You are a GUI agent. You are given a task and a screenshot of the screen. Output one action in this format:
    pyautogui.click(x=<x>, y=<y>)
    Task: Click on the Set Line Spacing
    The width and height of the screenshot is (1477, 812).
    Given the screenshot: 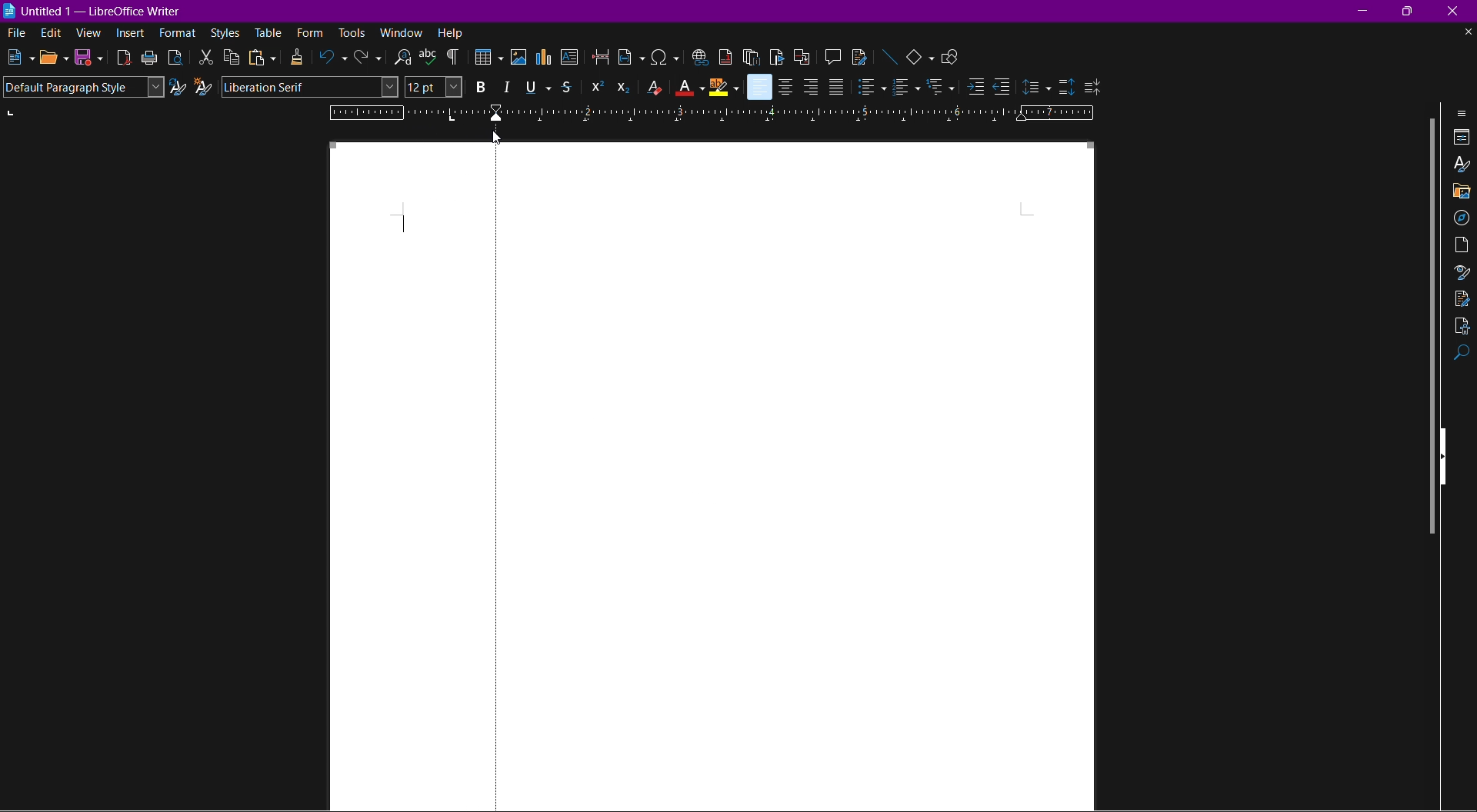 What is the action you would take?
    pyautogui.click(x=1036, y=85)
    